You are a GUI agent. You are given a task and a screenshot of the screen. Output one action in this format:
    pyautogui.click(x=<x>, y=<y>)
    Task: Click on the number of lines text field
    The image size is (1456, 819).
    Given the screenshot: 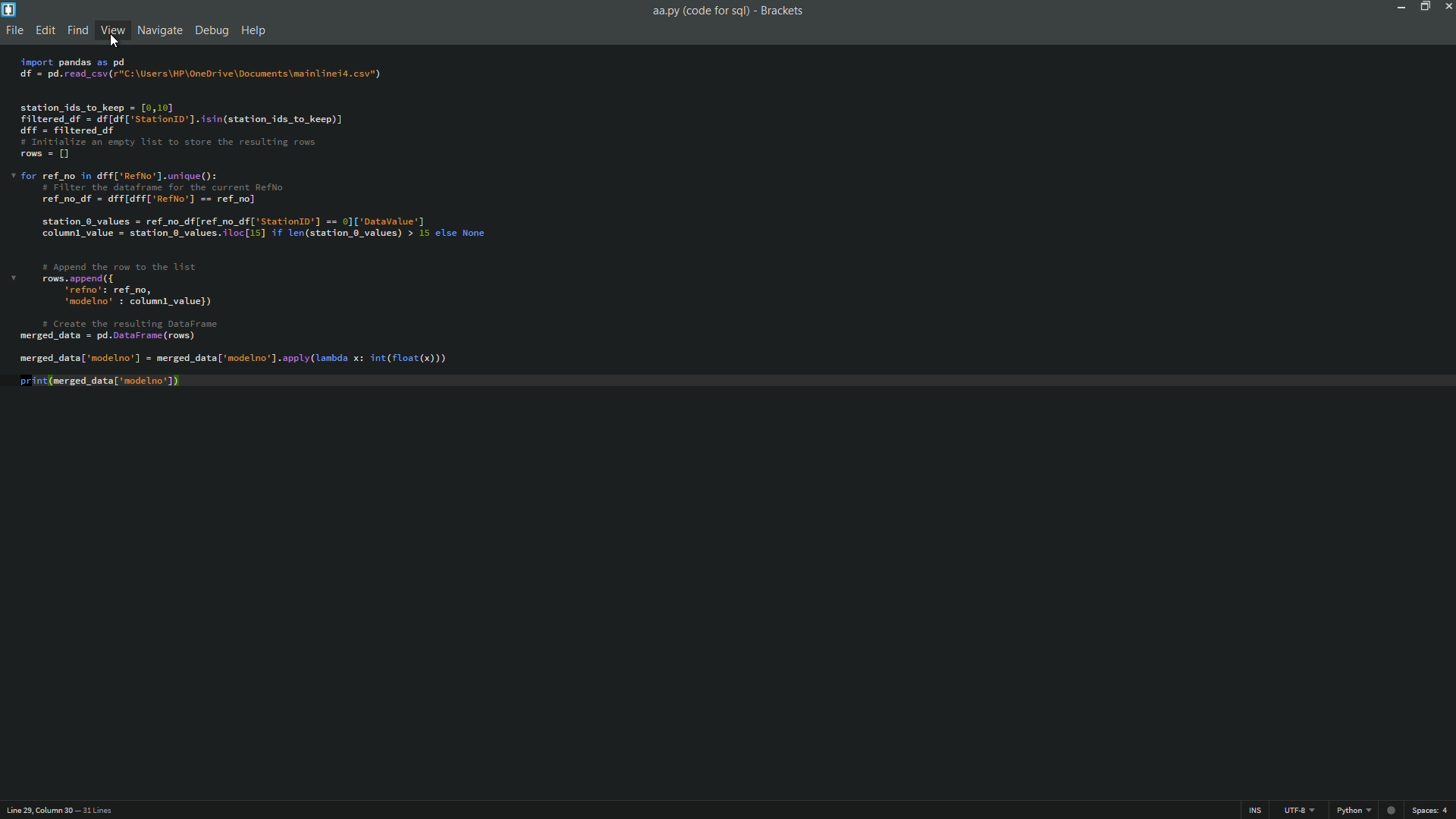 What is the action you would take?
    pyautogui.click(x=105, y=810)
    